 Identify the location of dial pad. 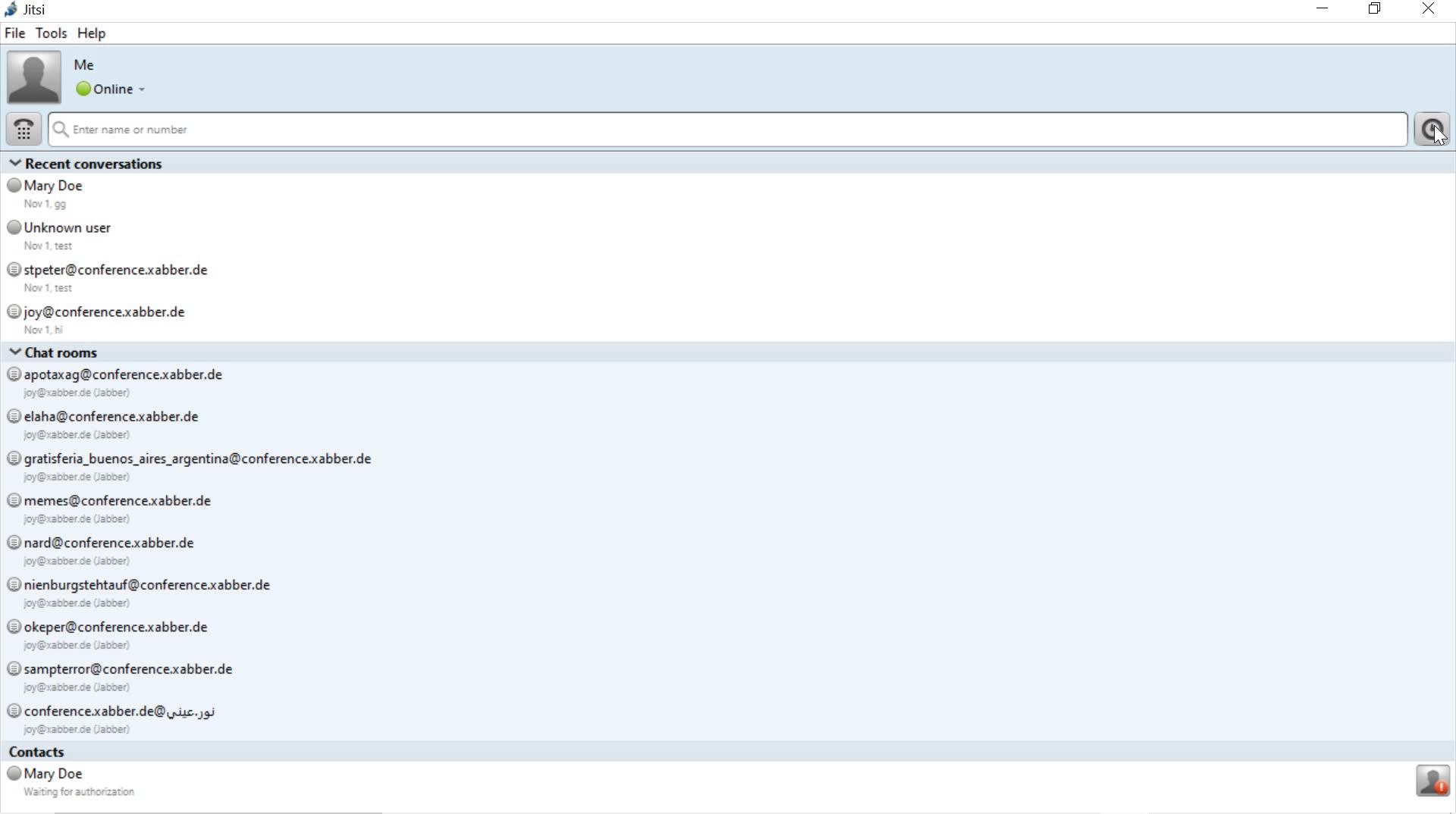
(23, 130).